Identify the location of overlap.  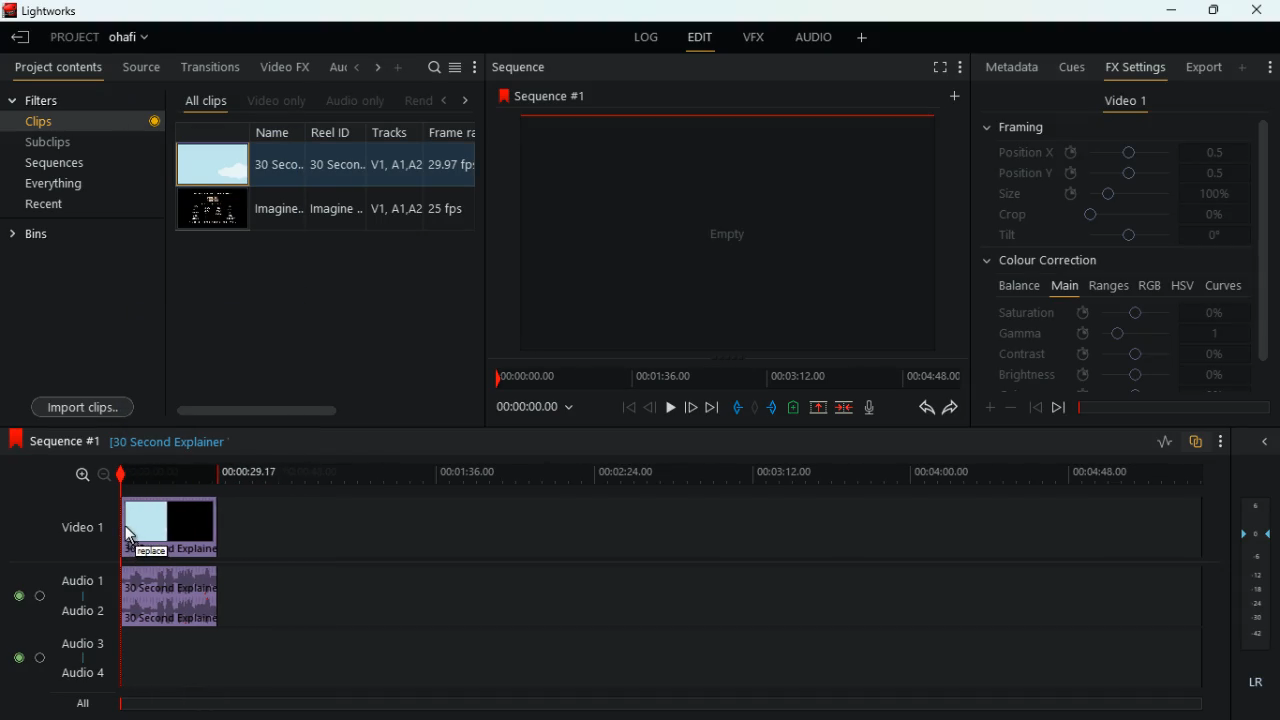
(1194, 444).